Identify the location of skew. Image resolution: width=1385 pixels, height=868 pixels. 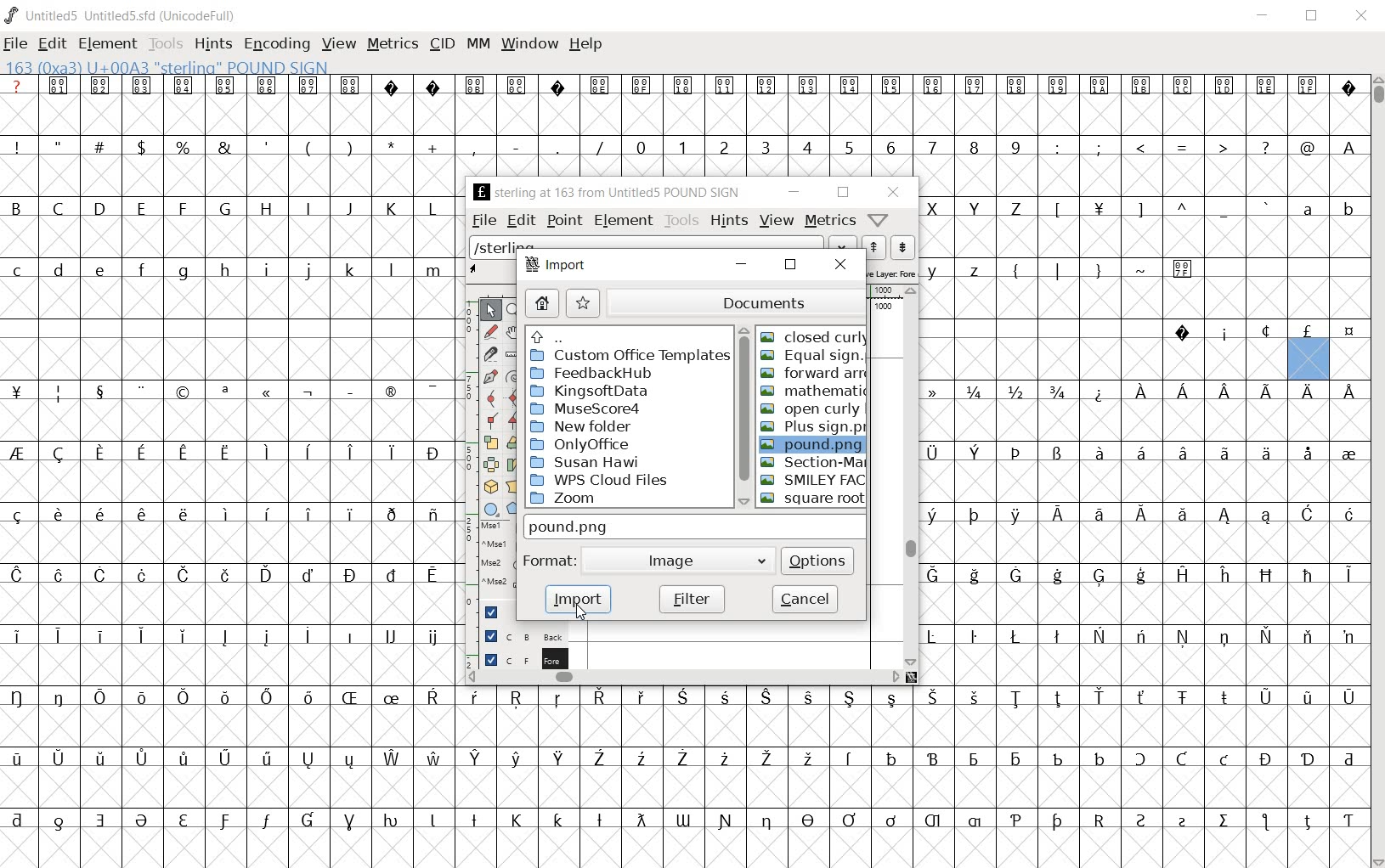
(513, 465).